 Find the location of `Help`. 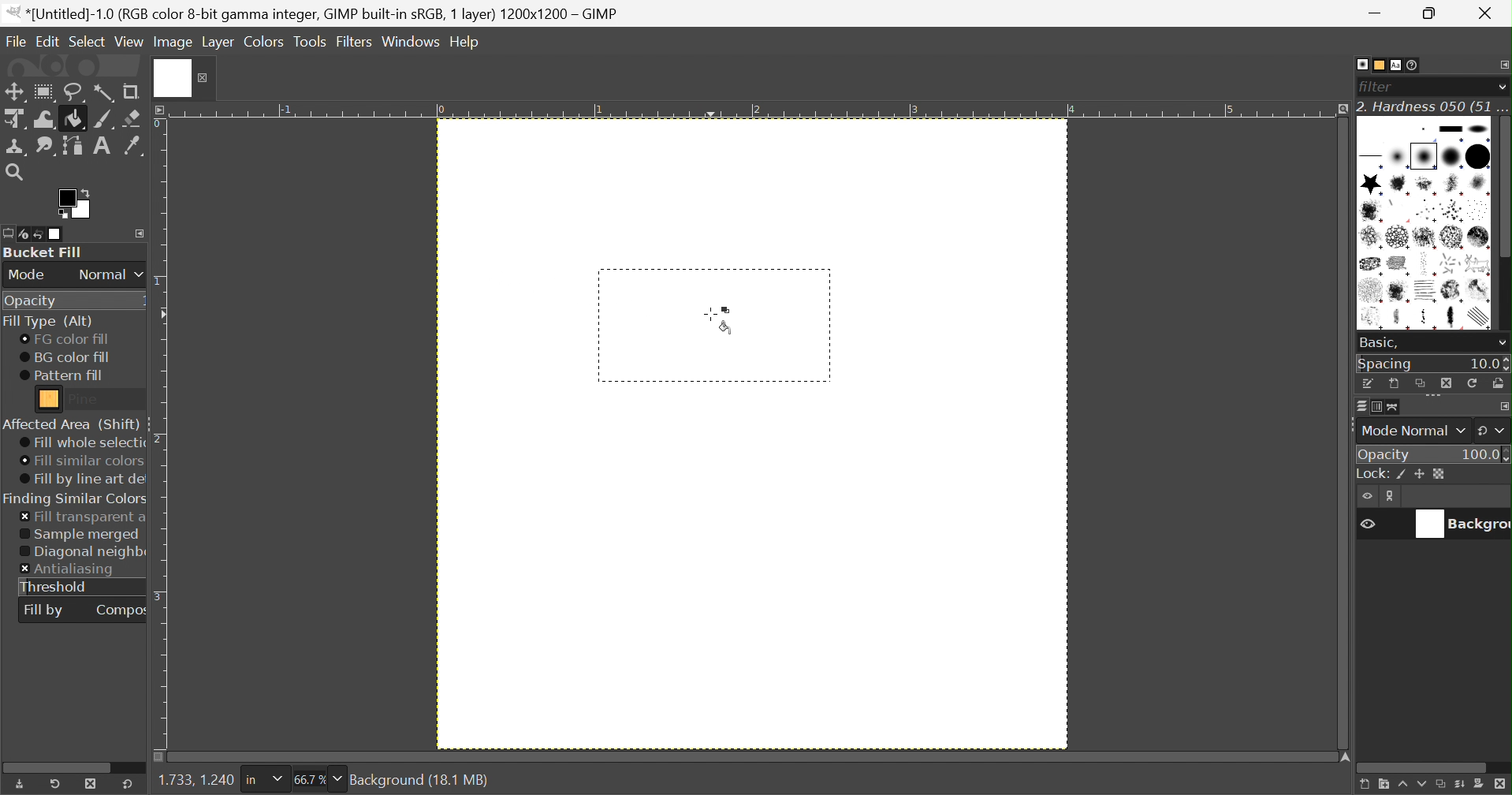

Help is located at coordinates (466, 42).